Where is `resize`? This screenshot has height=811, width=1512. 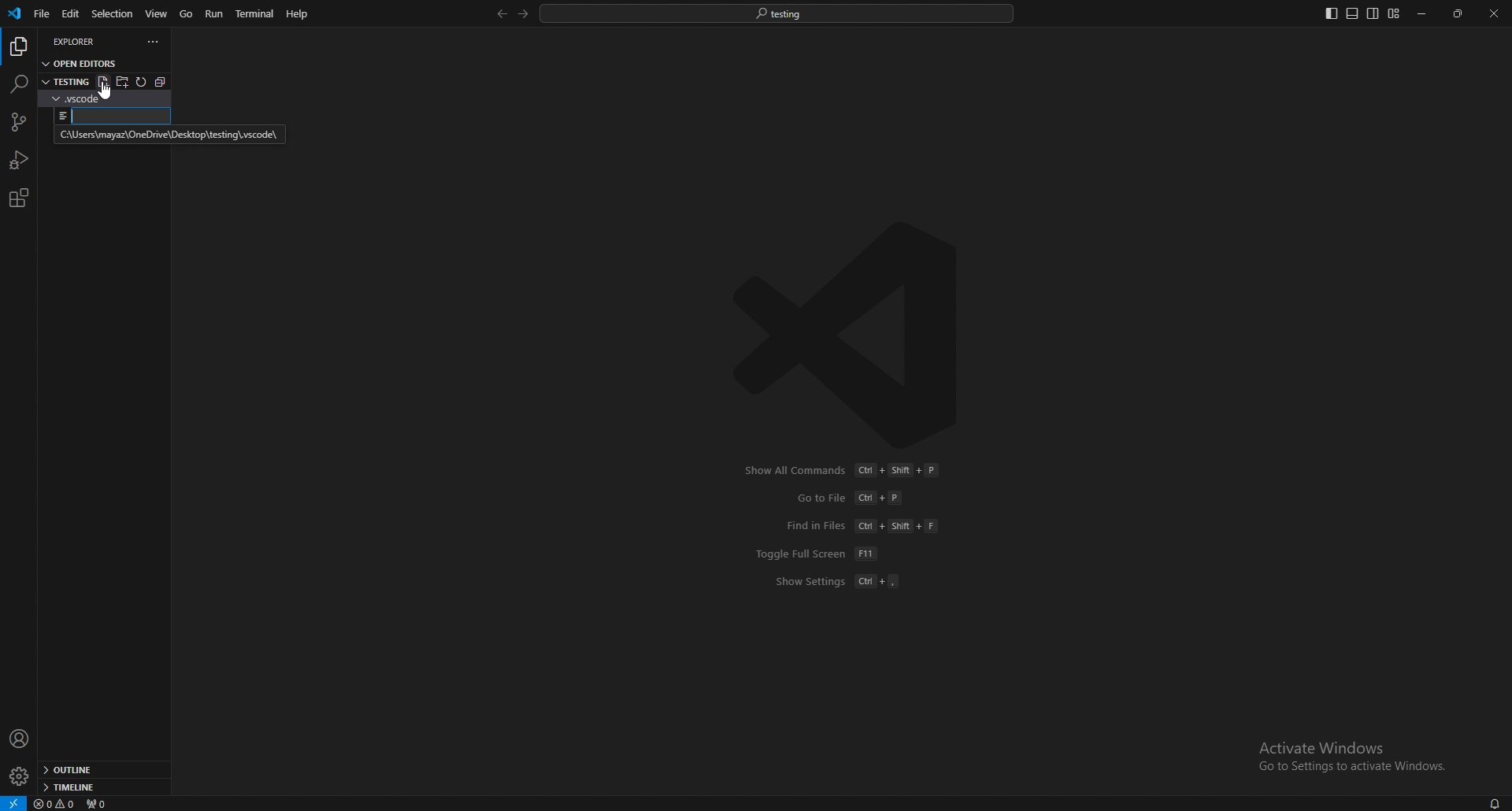 resize is located at coordinates (1459, 14).